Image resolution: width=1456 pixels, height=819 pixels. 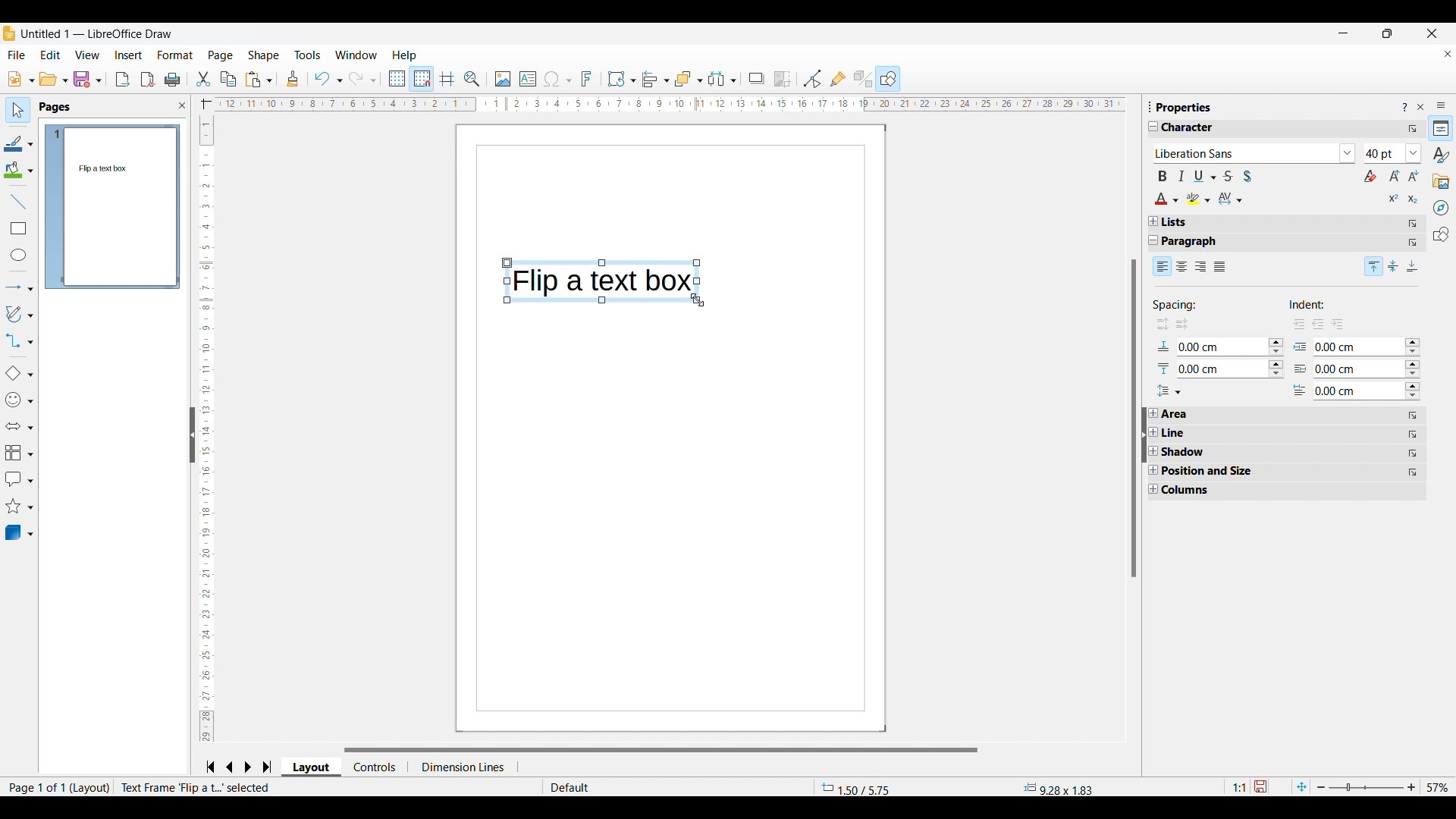 What do you see at coordinates (21, 79) in the screenshot?
I see `New document options` at bounding box center [21, 79].